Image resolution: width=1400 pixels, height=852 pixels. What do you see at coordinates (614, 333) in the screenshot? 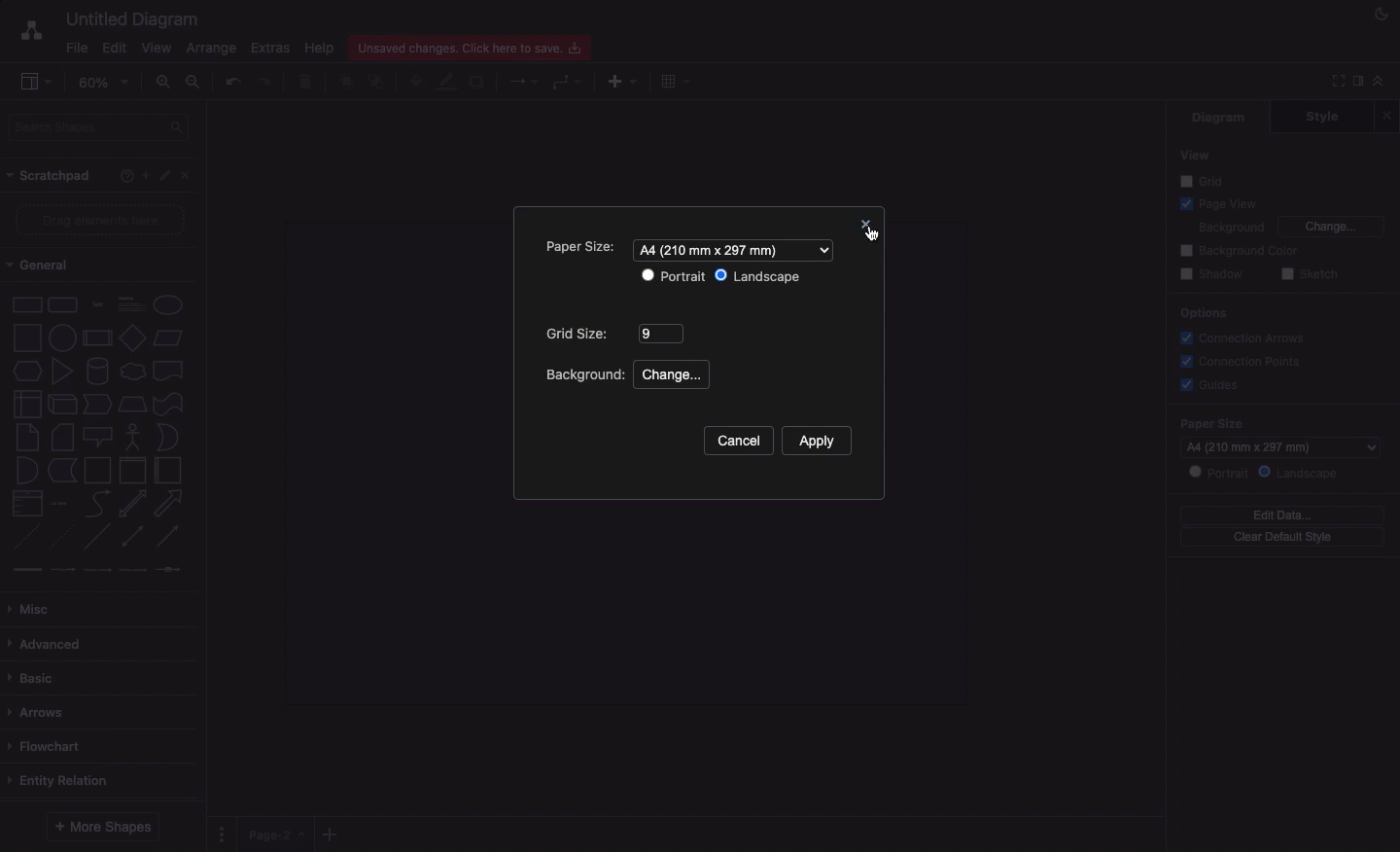
I see `Grid size` at bounding box center [614, 333].